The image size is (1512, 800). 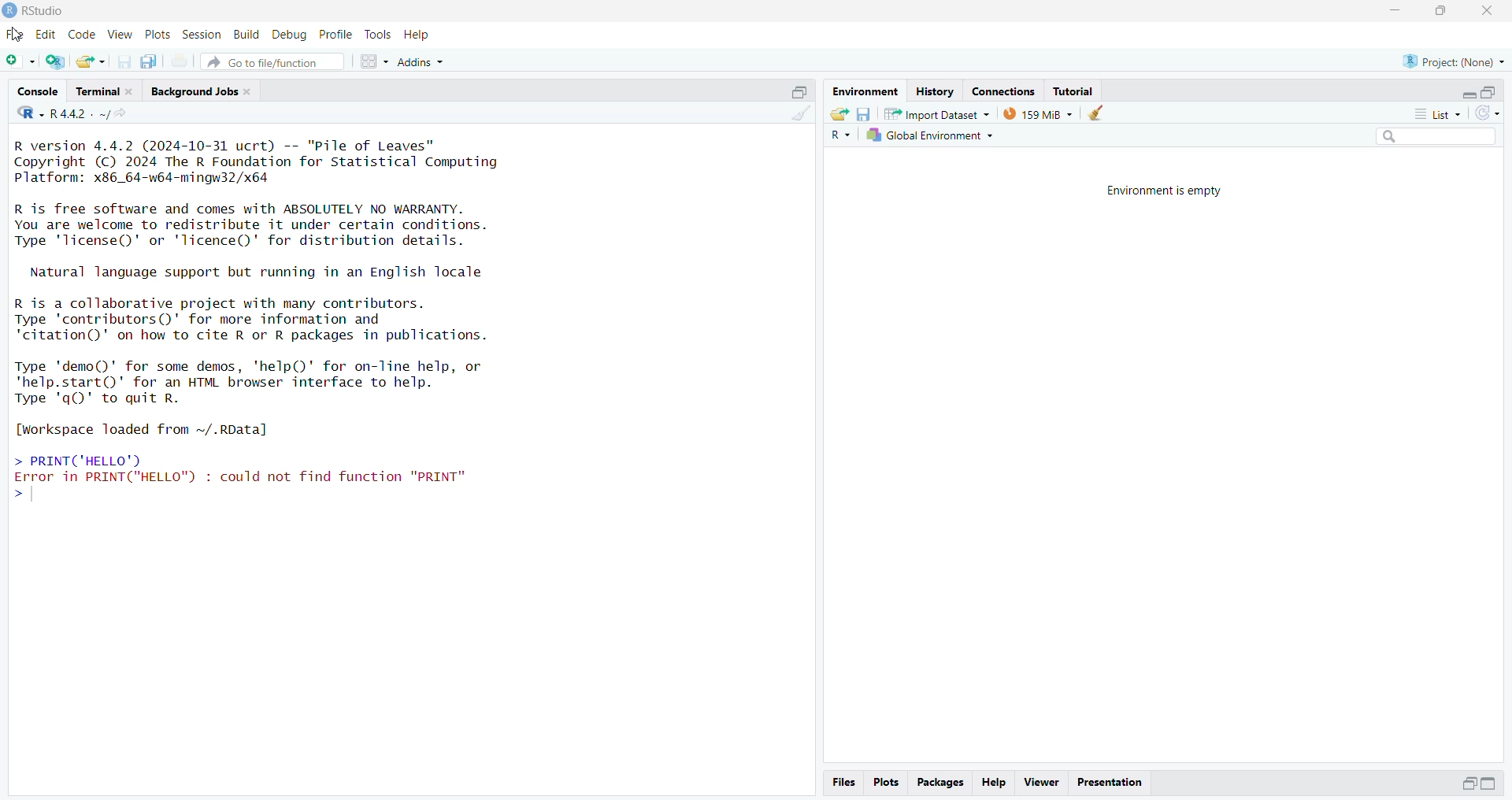 I want to click on R, so click(x=838, y=136).